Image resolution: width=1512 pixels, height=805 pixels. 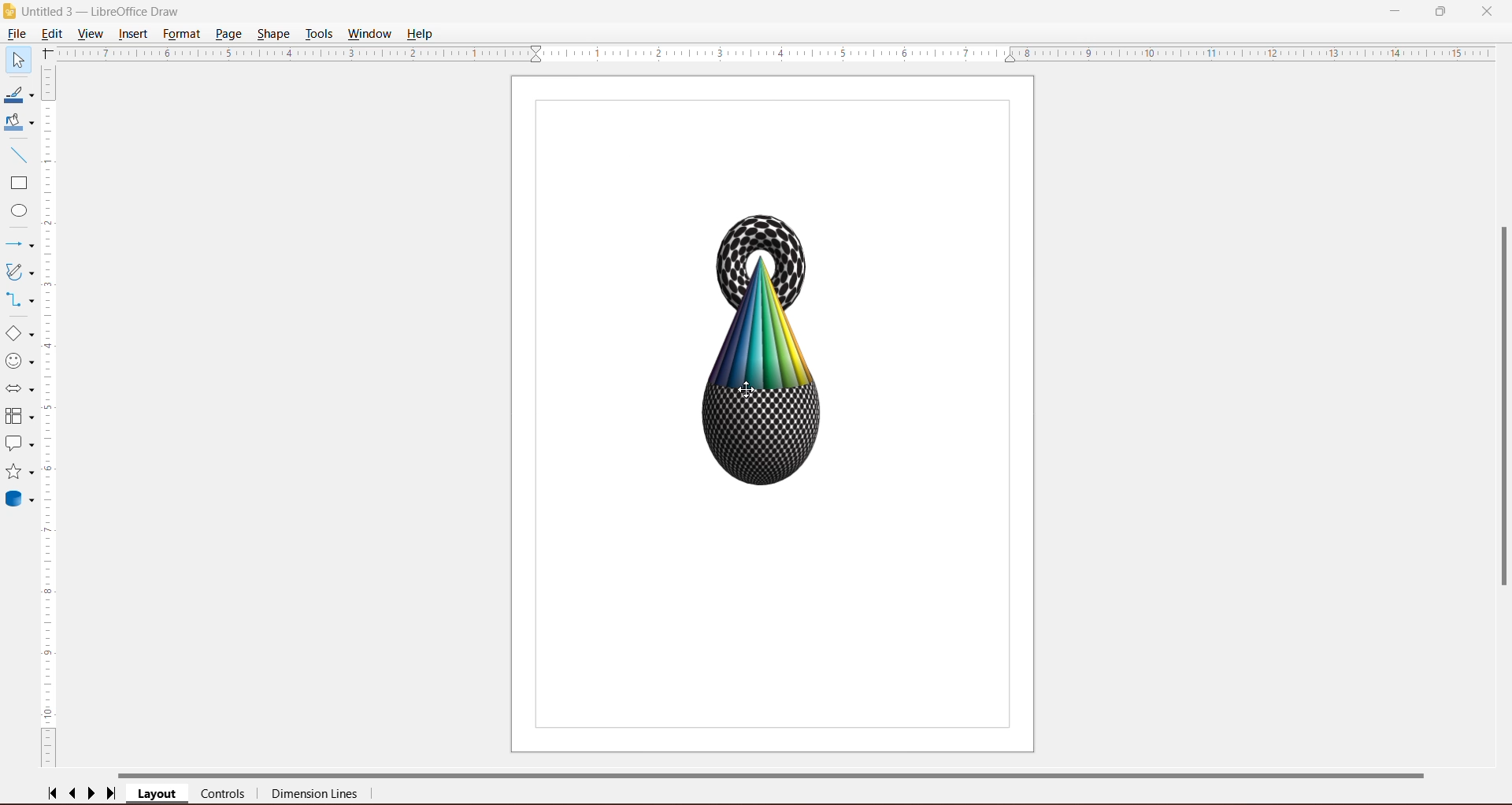 I want to click on Shape, so click(x=273, y=34).